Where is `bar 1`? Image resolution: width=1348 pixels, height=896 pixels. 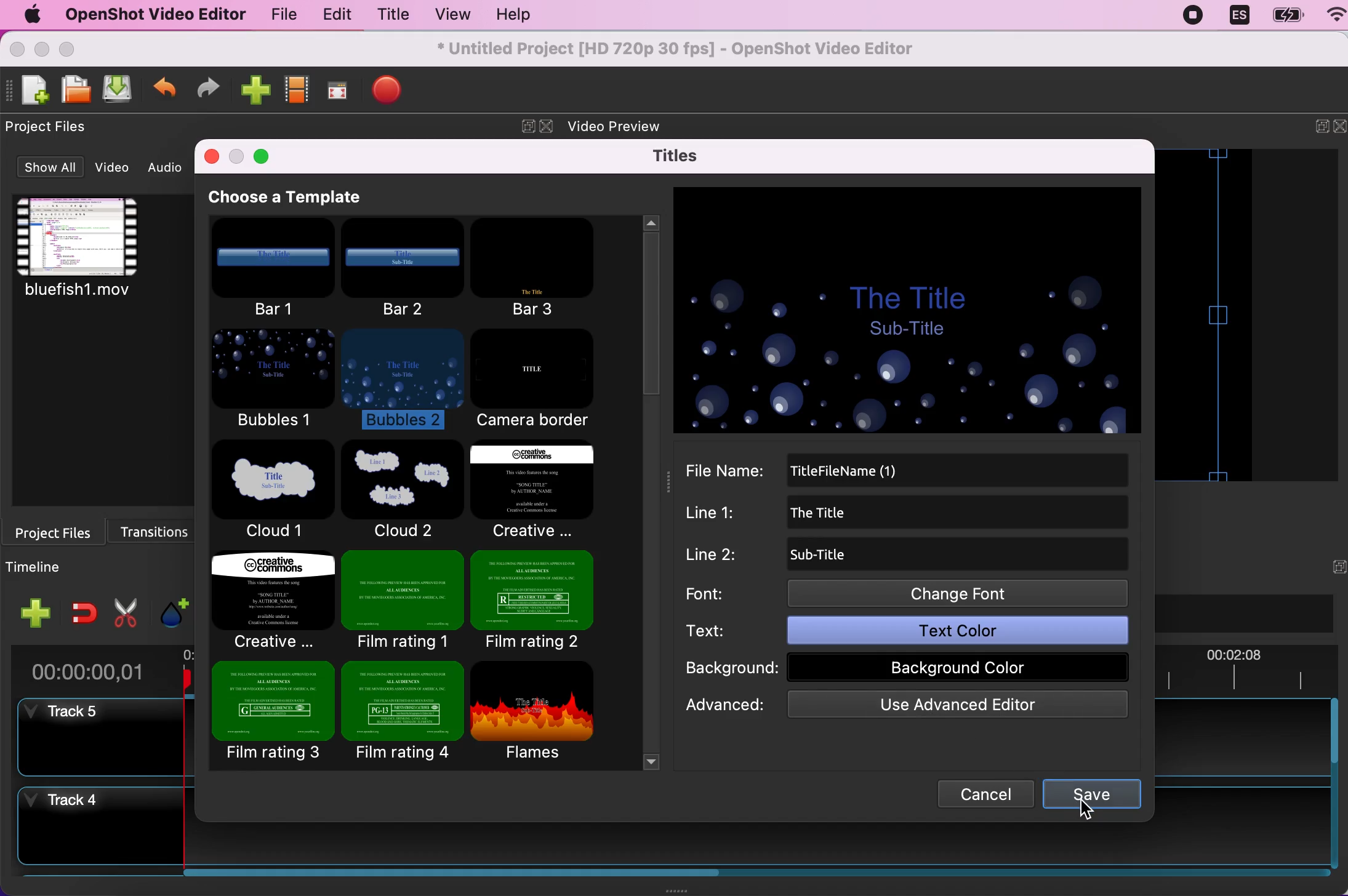
bar 1 is located at coordinates (273, 271).